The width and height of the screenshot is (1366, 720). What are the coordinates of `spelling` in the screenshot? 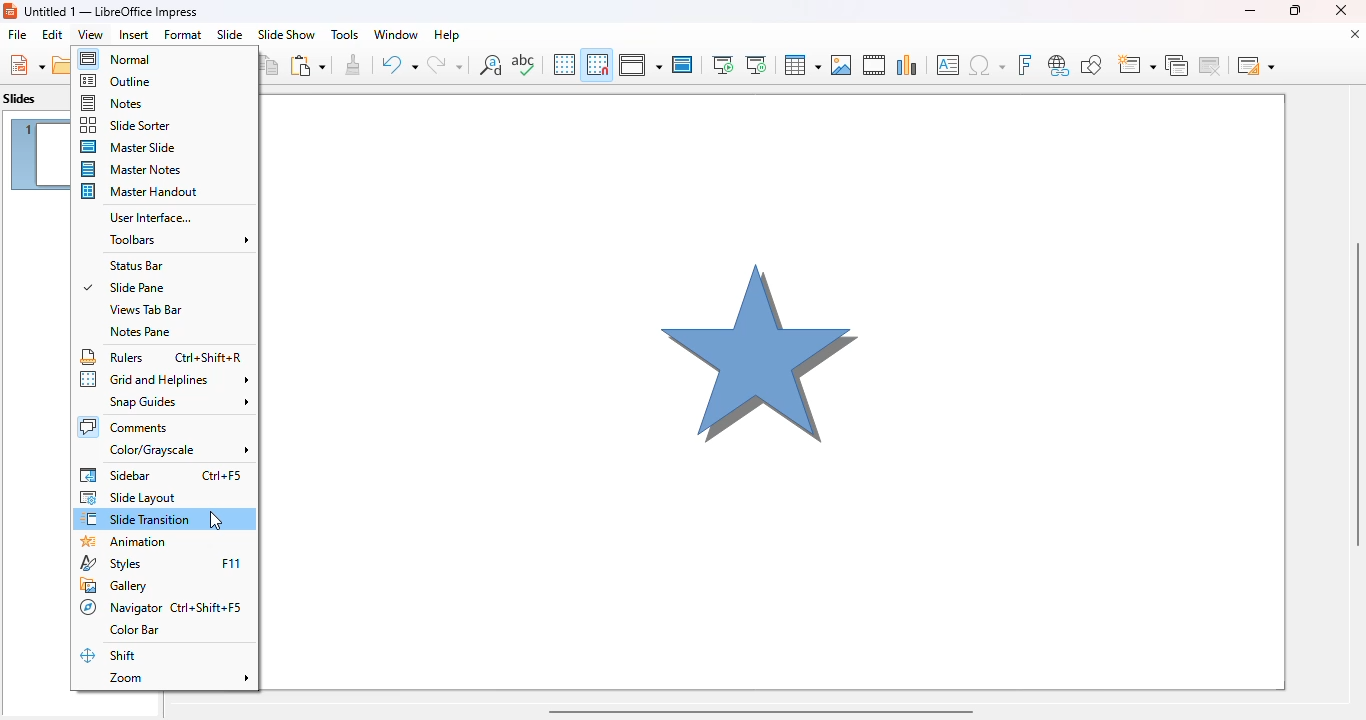 It's located at (523, 63).